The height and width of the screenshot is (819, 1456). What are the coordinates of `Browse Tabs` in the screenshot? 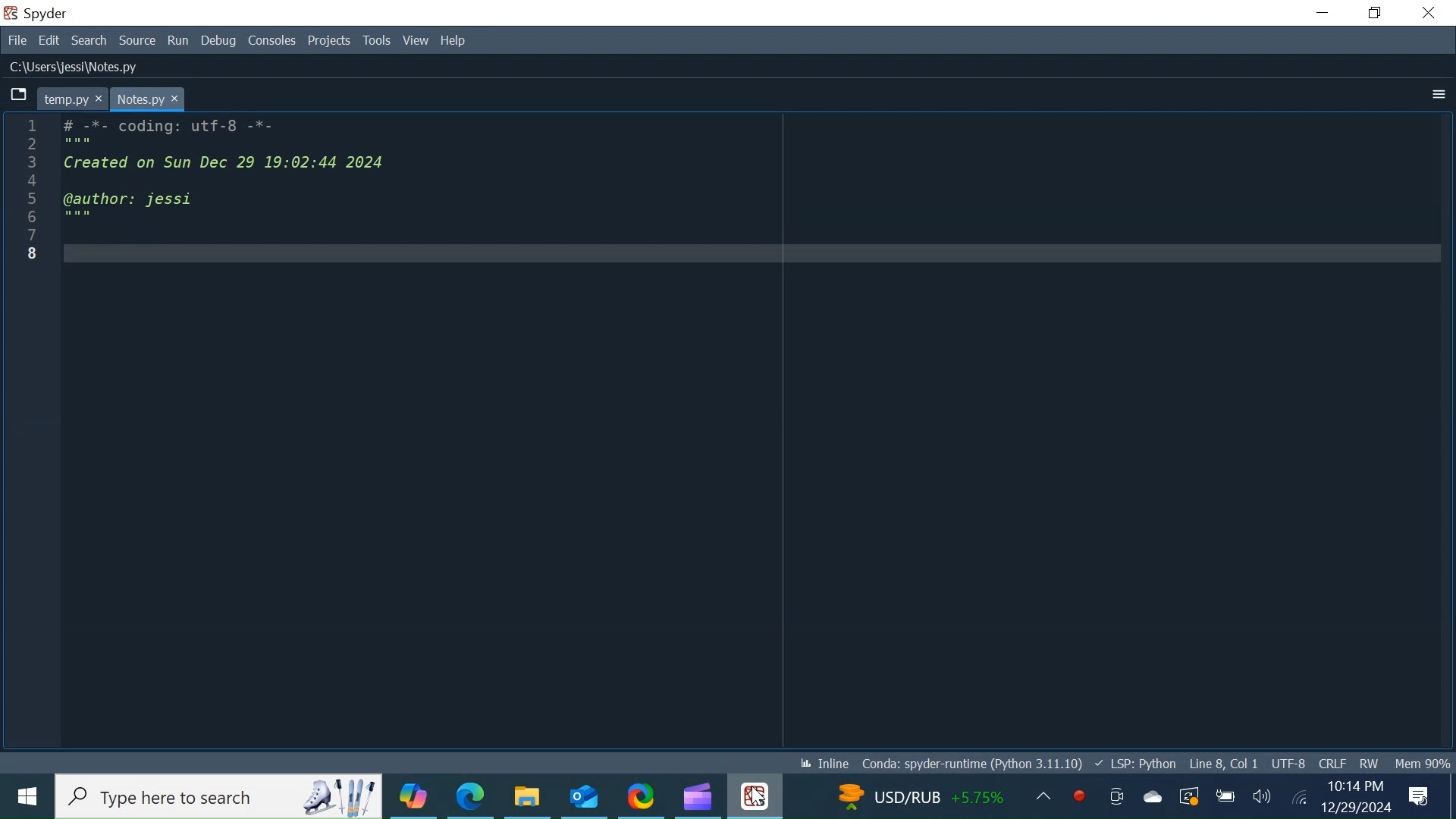 It's located at (16, 96).